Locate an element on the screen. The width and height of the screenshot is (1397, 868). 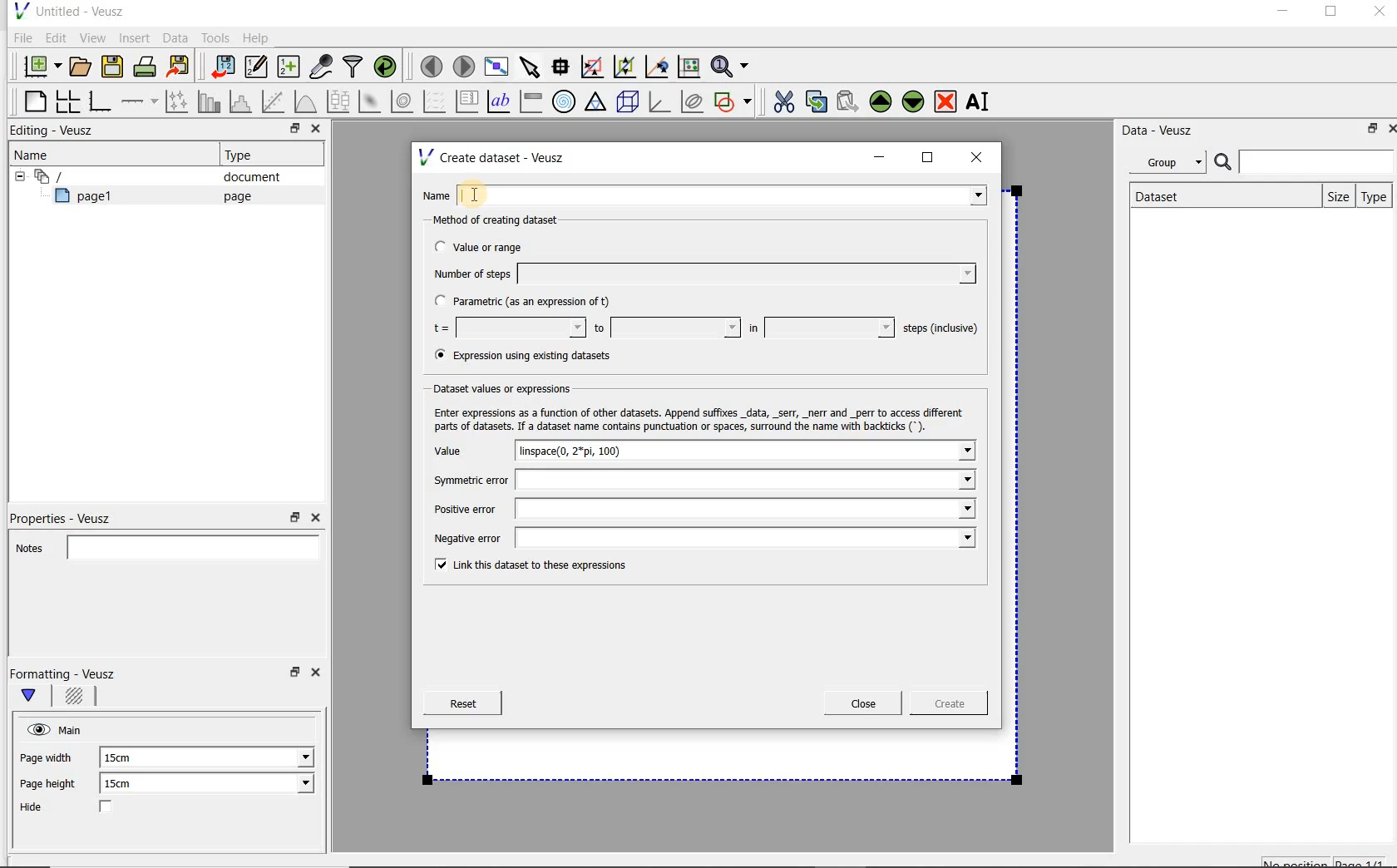
Dataset values or expressions is located at coordinates (511, 388).